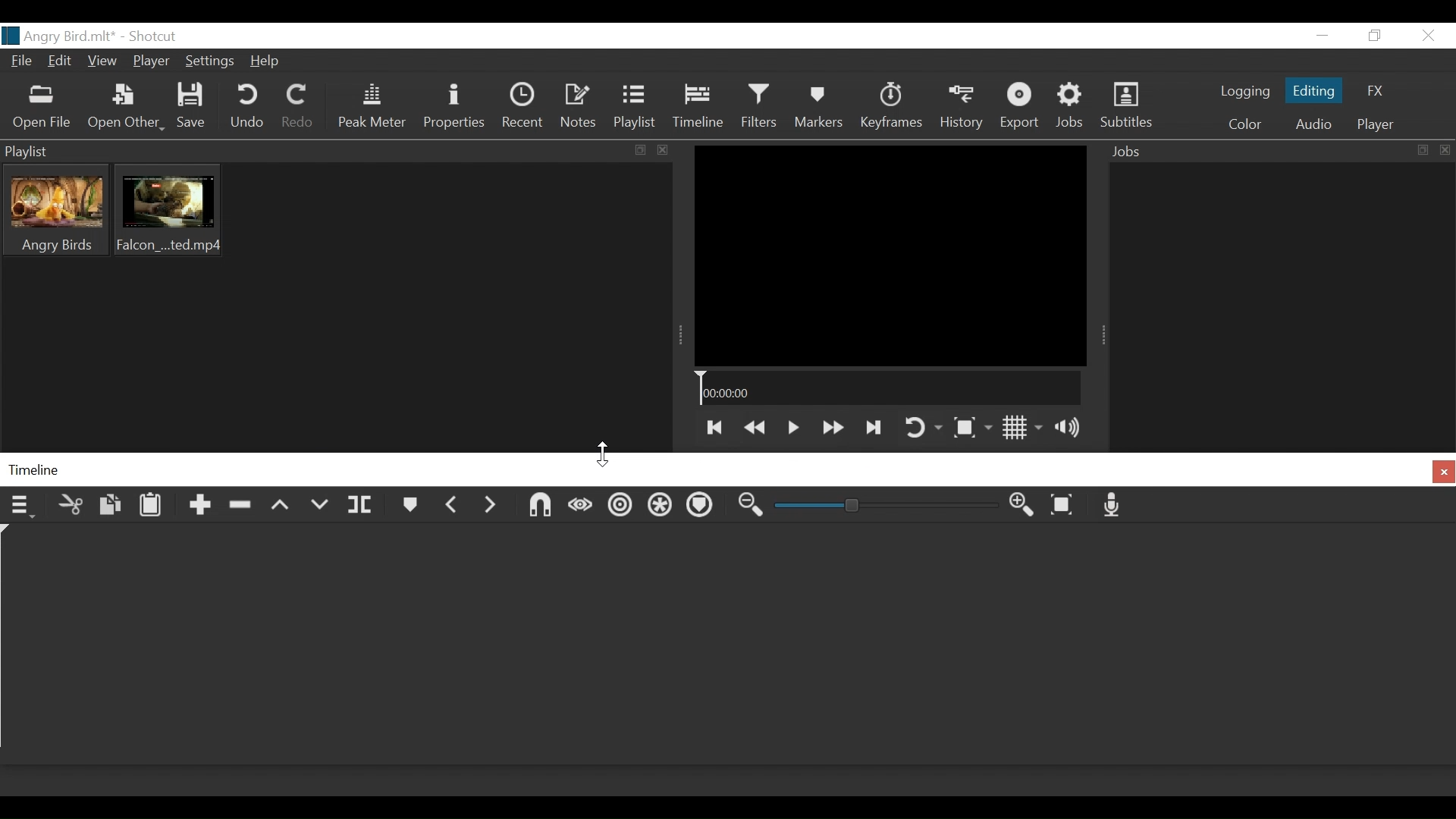 The image size is (1456, 819). What do you see at coordinates (104, 61) in the screenshot?
I see `View` at bounding box center [104, 61].